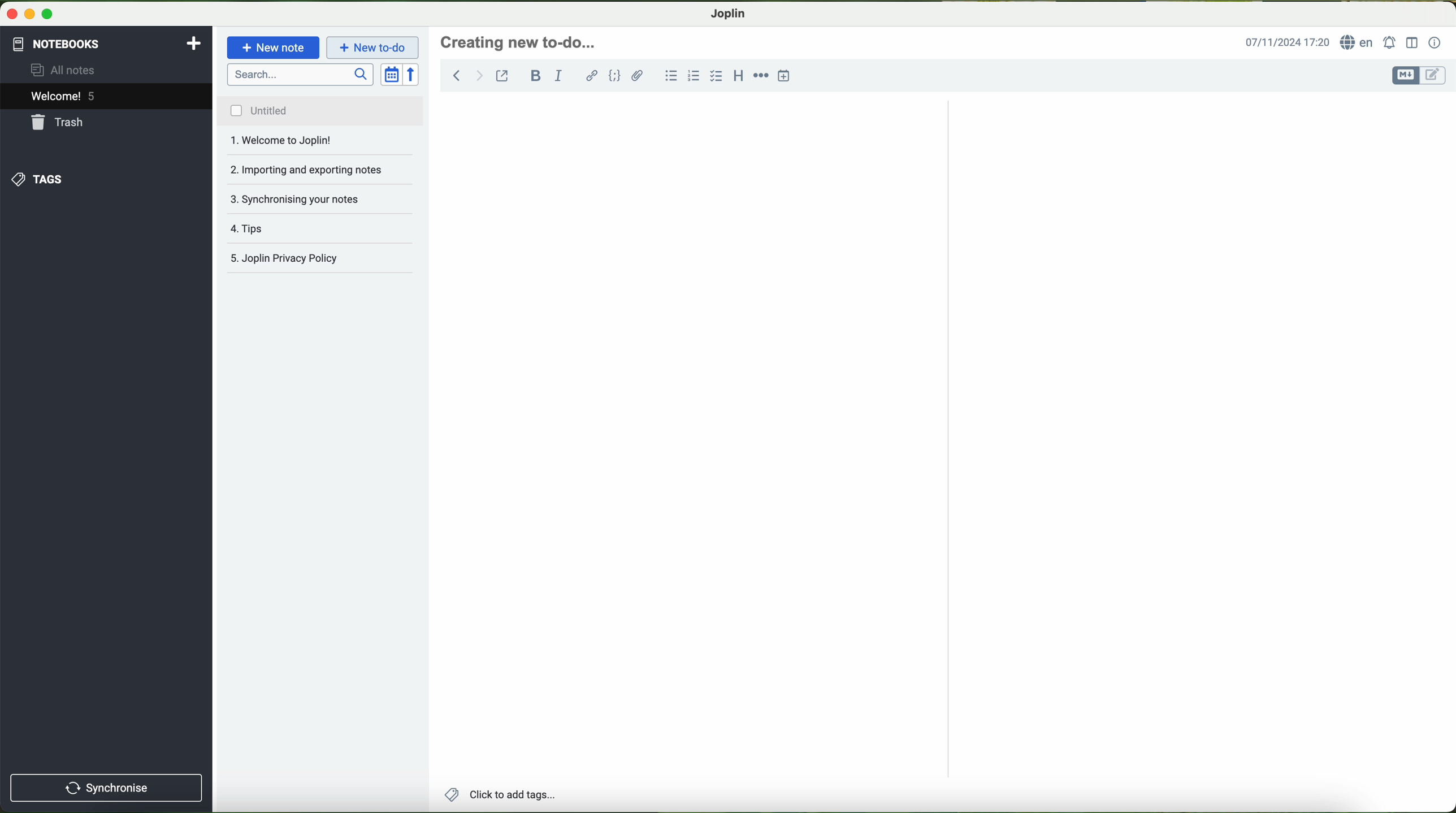 The height and width of the screenshot is (813, 1456). What do you see at coordinates (614, 75) in the screenshot?
I see `code` at bounding box center [614, 75].